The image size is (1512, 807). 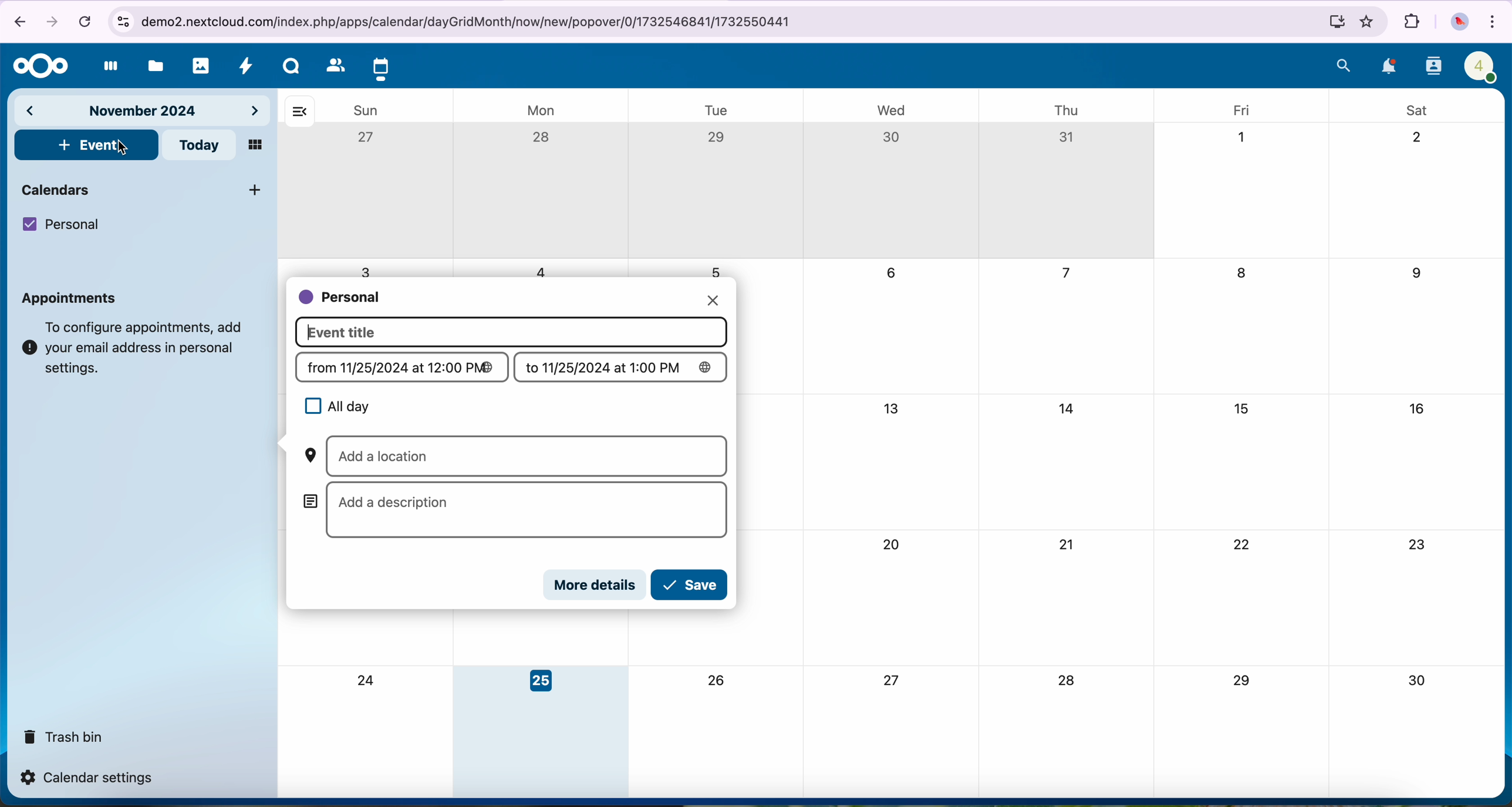 I want to click on 16, so click(x=1419, y=408).